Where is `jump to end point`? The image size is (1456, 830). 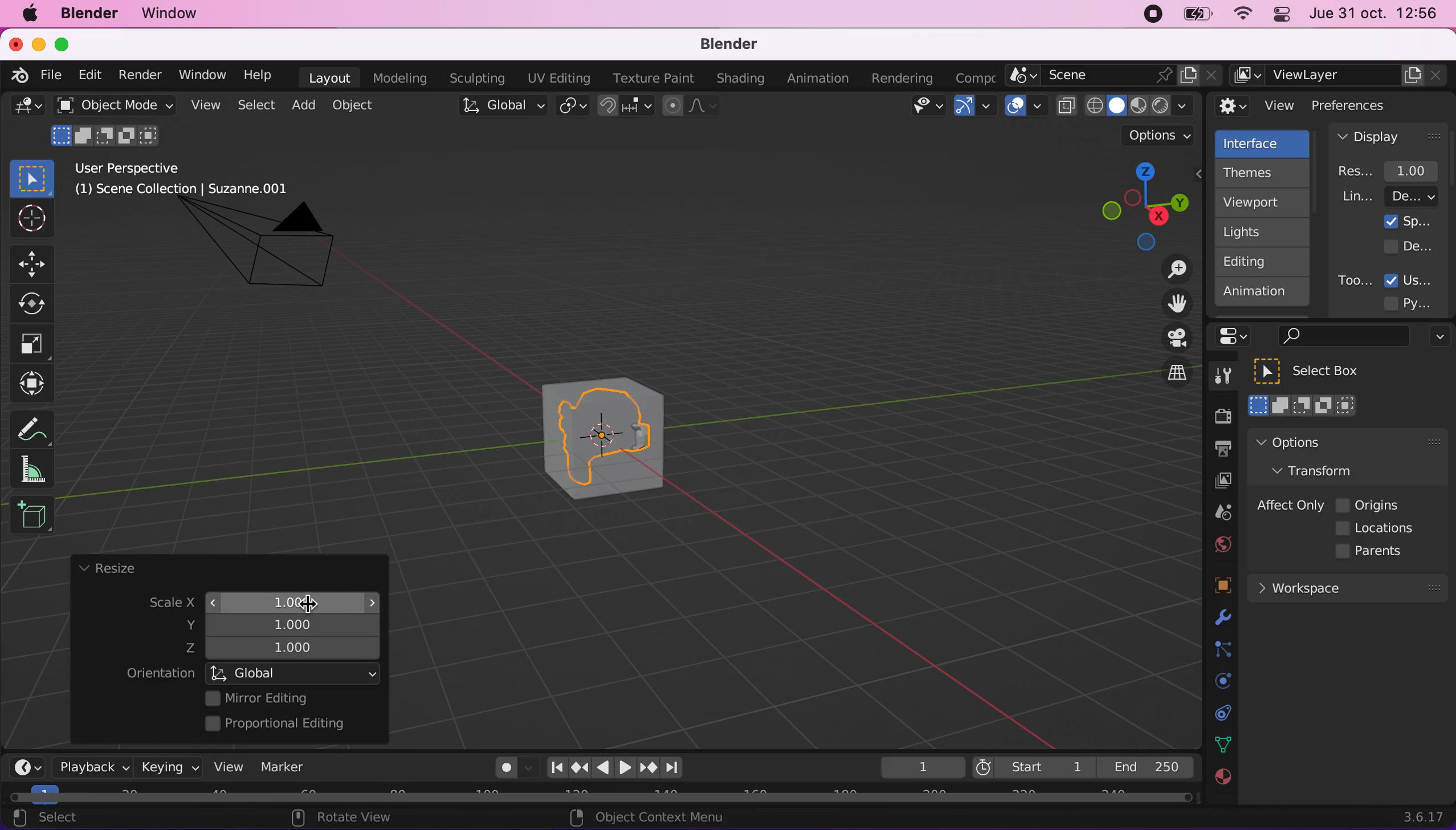 jump to end point is located at coordinates (553, 768).